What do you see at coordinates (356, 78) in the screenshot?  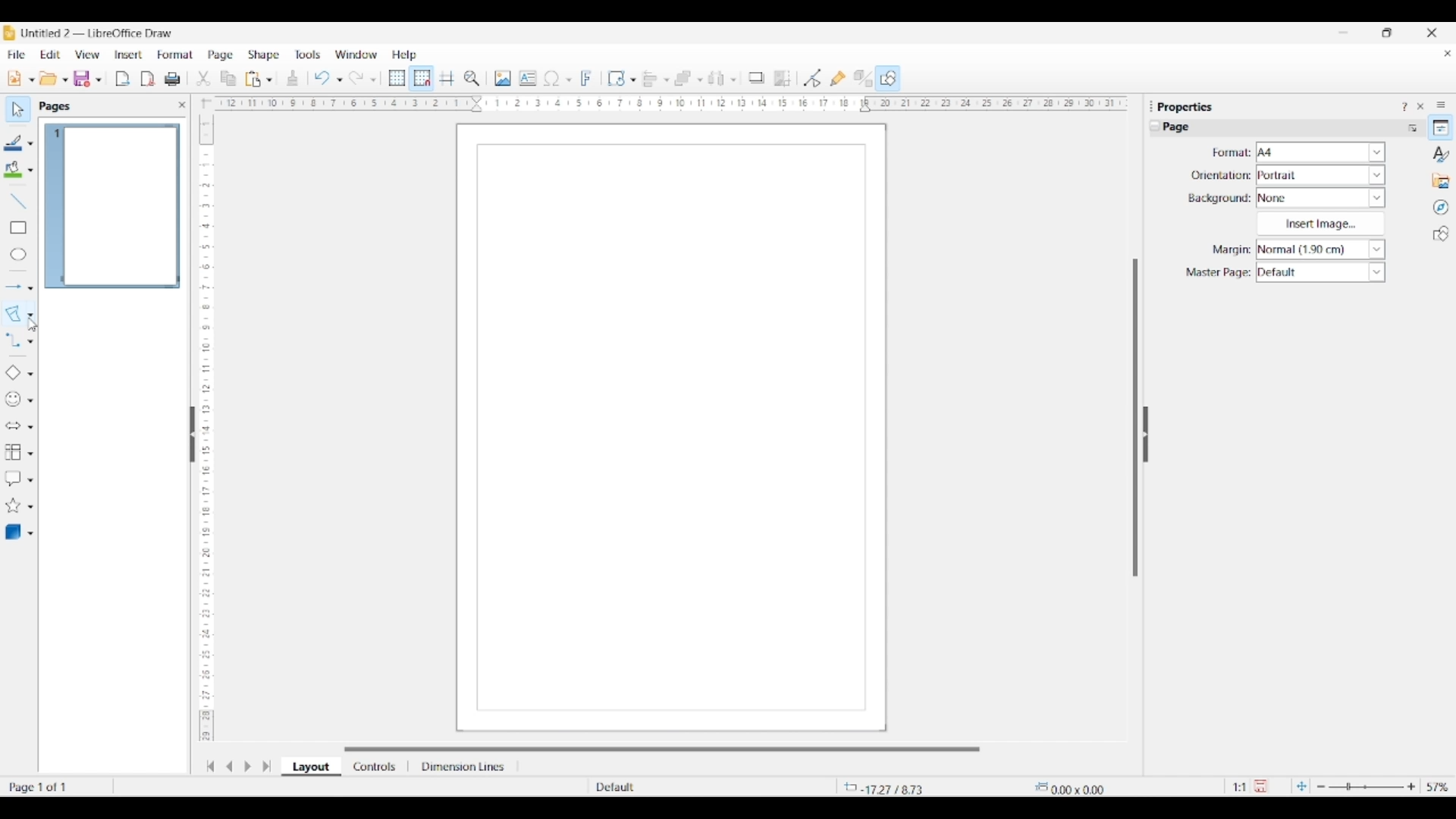 I see `Redo last action` at bounding box center [356, 78].